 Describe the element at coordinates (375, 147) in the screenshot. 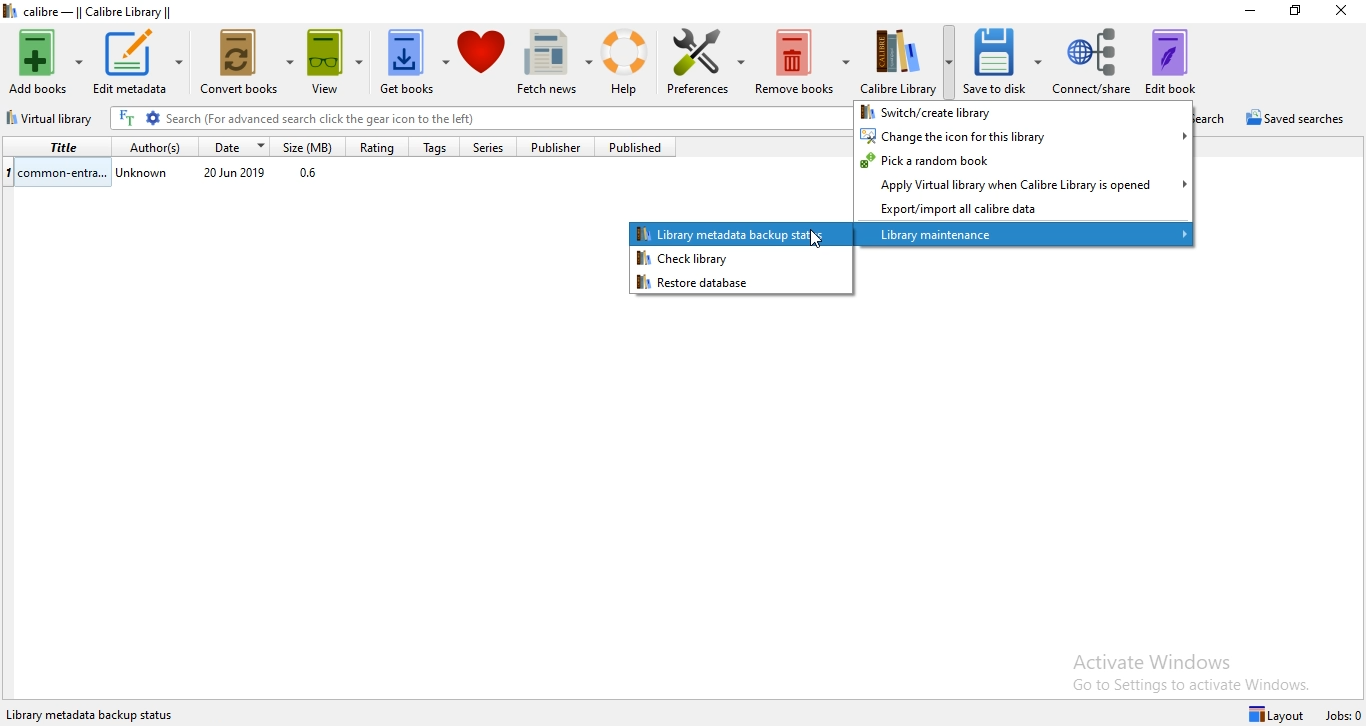

I see `Rating` at that location.